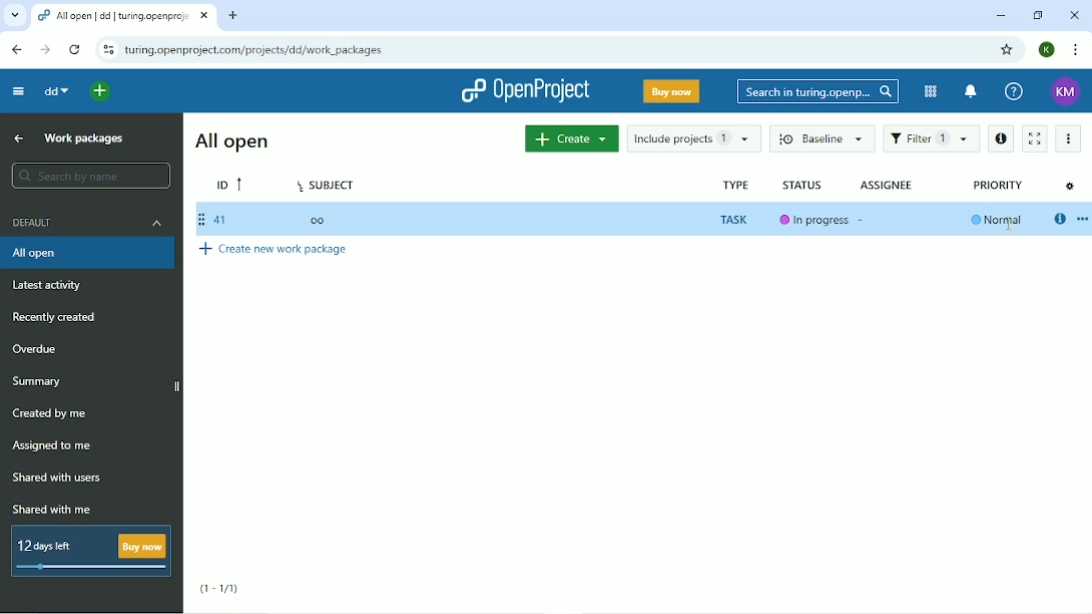 This screenshot has height=614, width=1092. Describe the element at coordinates (232, 143) in the screenshot. I see `All open` at that location.